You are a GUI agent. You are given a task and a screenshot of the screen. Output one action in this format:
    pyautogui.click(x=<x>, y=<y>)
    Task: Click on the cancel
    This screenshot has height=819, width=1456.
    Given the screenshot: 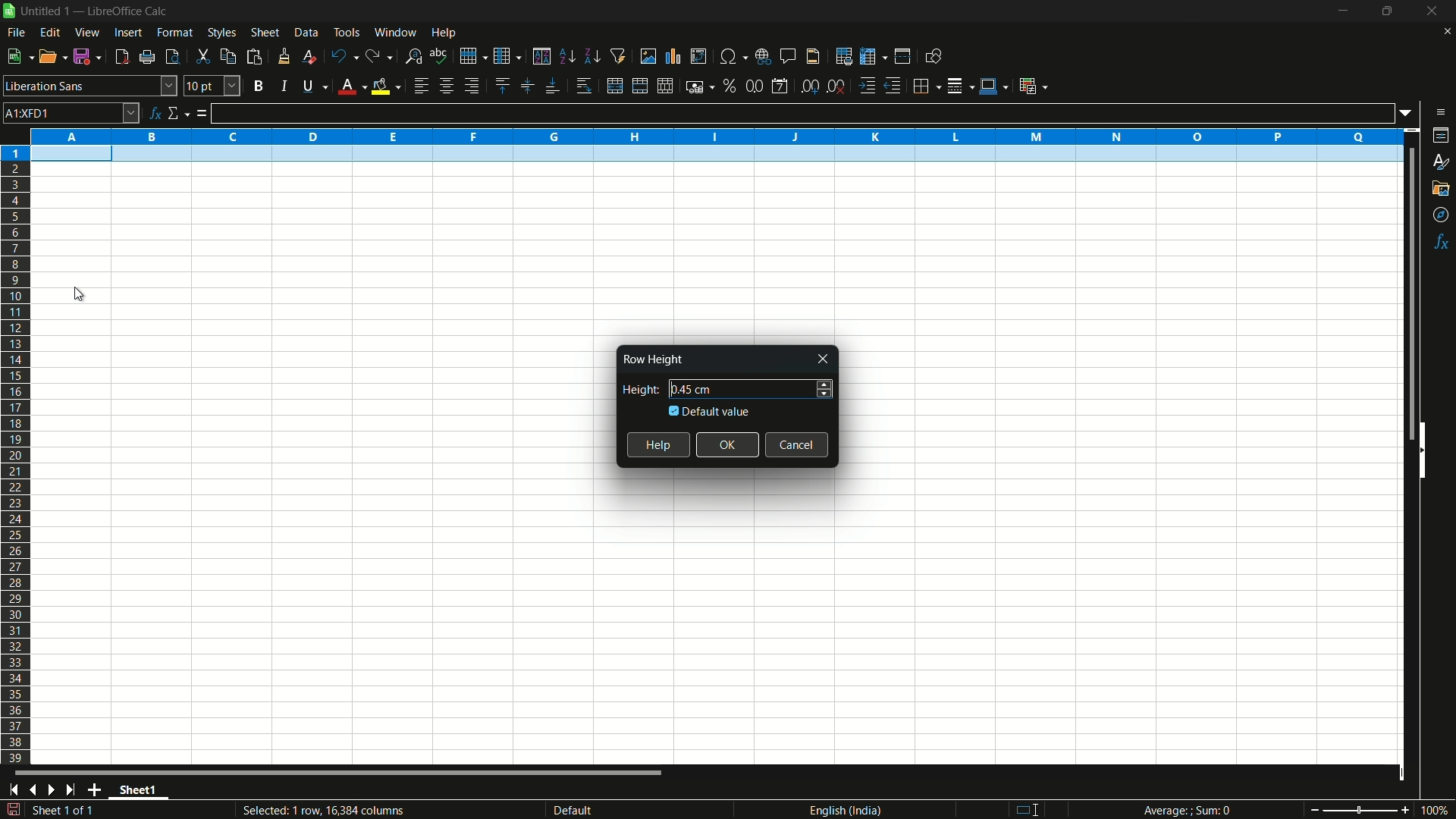 What is the action you would take?
    pyautogui.click(x=798, y=444)
    